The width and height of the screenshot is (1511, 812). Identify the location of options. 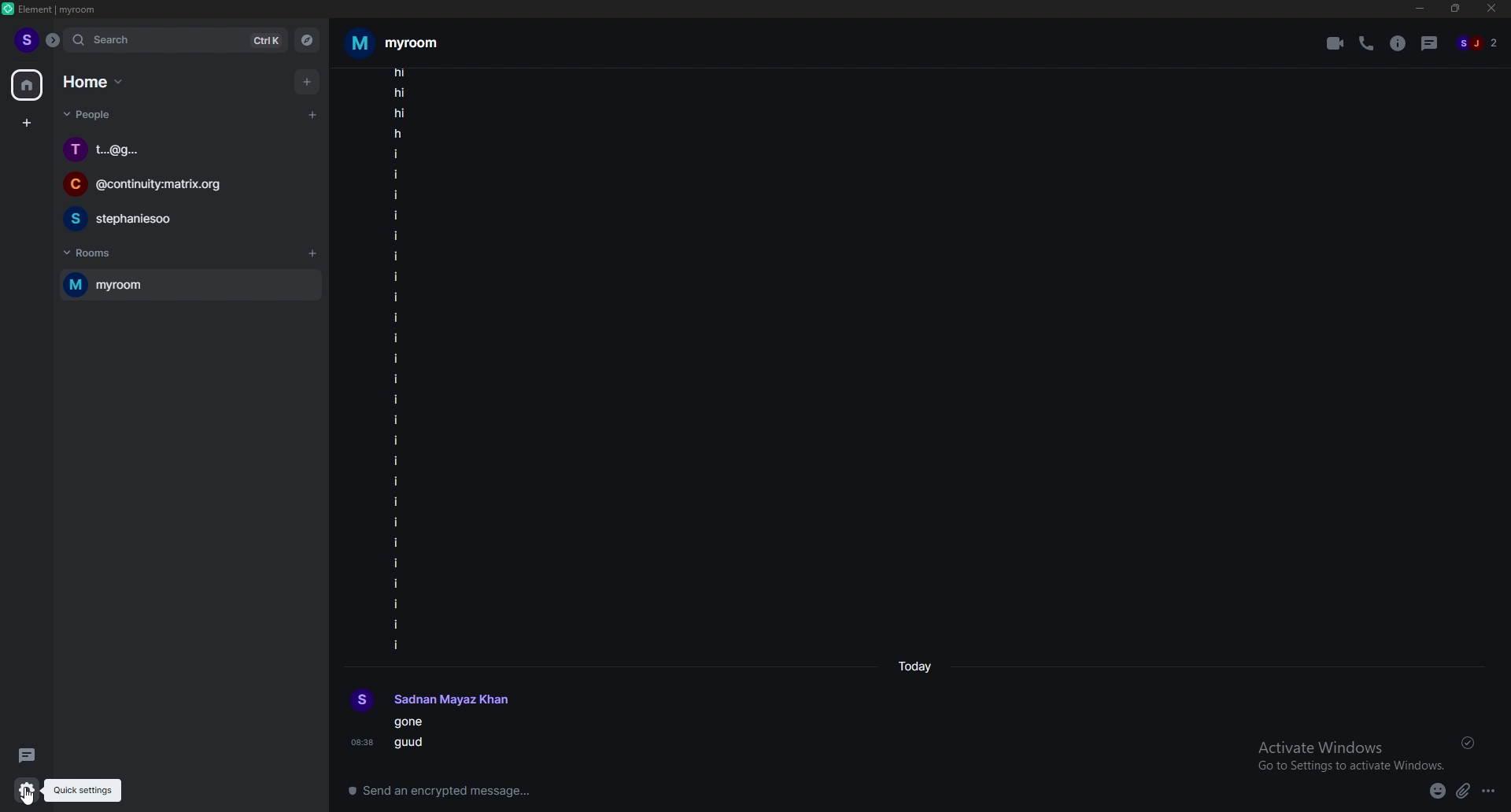
(1488, 791).